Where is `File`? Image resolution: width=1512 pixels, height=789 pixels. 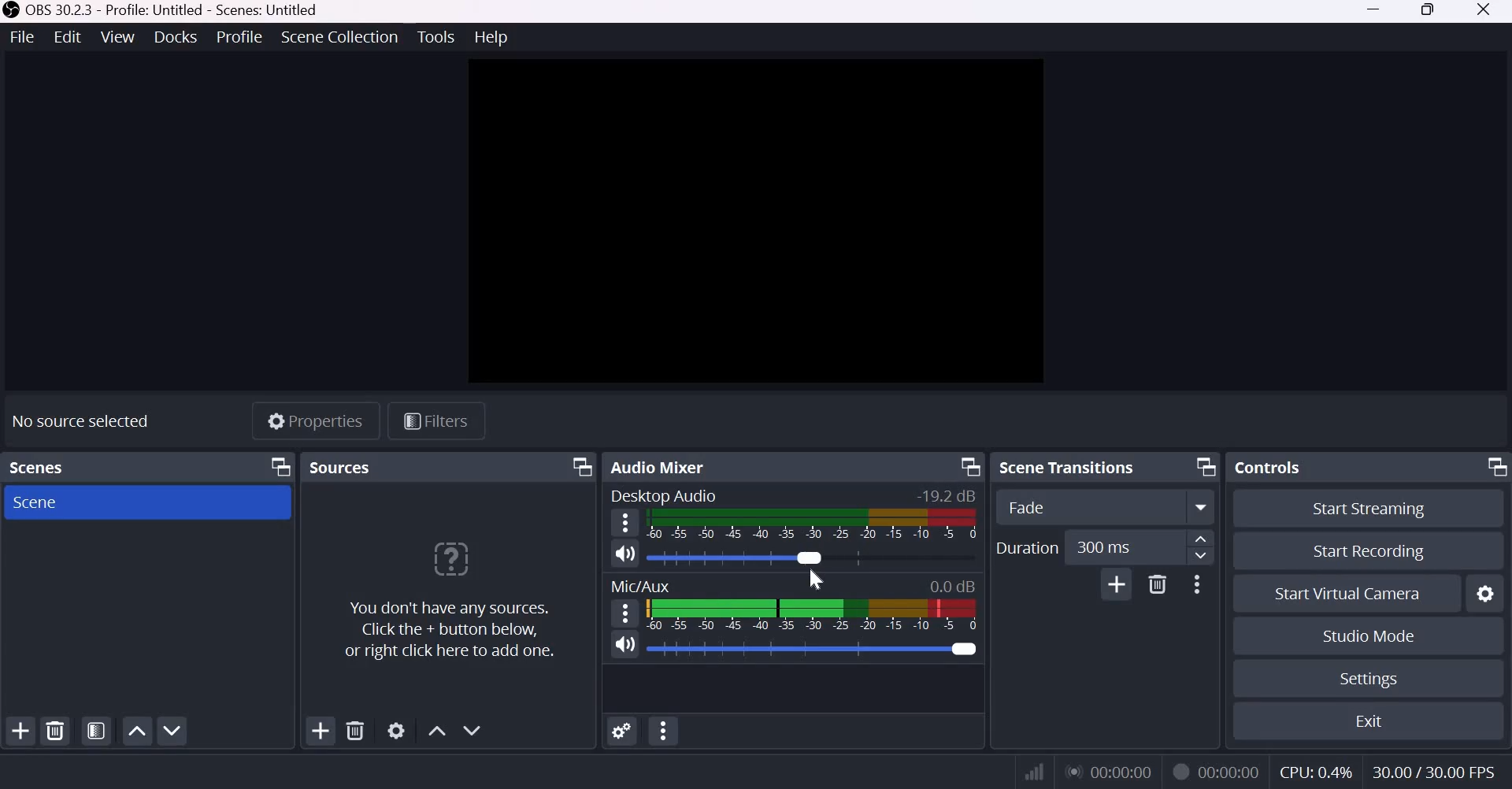 File is located at coordinates (24, 38).